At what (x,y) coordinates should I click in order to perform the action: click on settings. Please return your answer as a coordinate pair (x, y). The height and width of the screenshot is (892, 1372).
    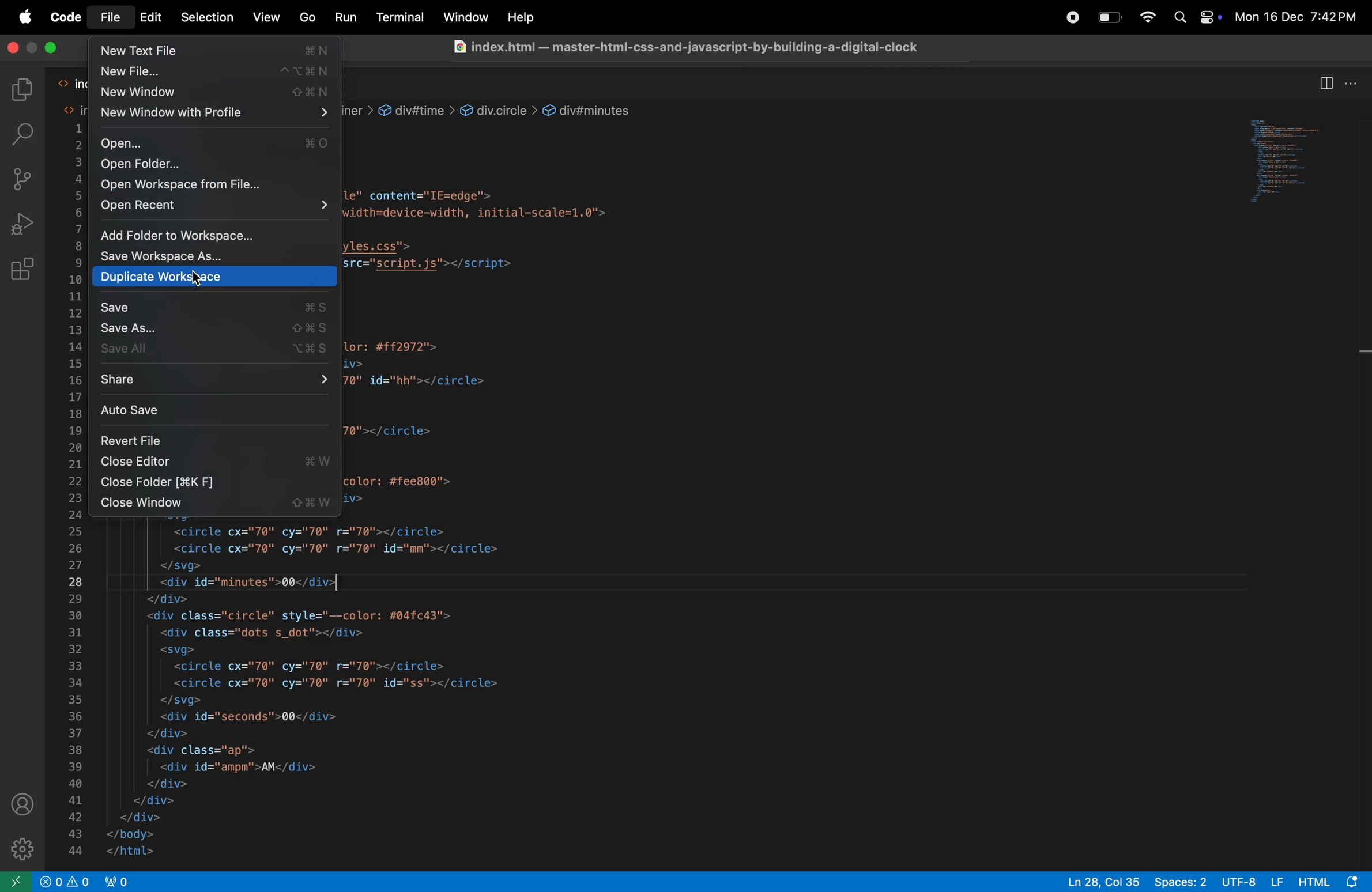
    Looking at the image, I should click on (21, 849).